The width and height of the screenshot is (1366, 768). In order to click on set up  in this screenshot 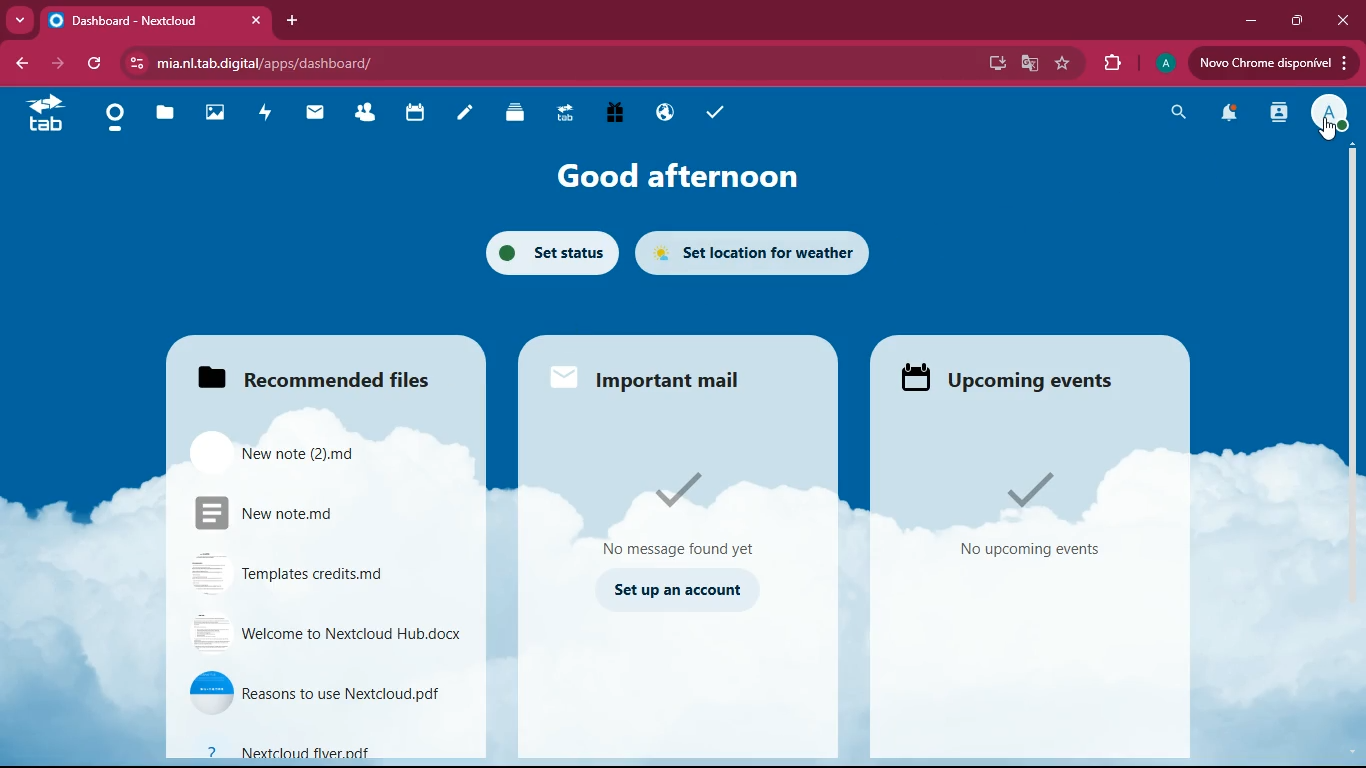, I will do `click(686, 590)`.